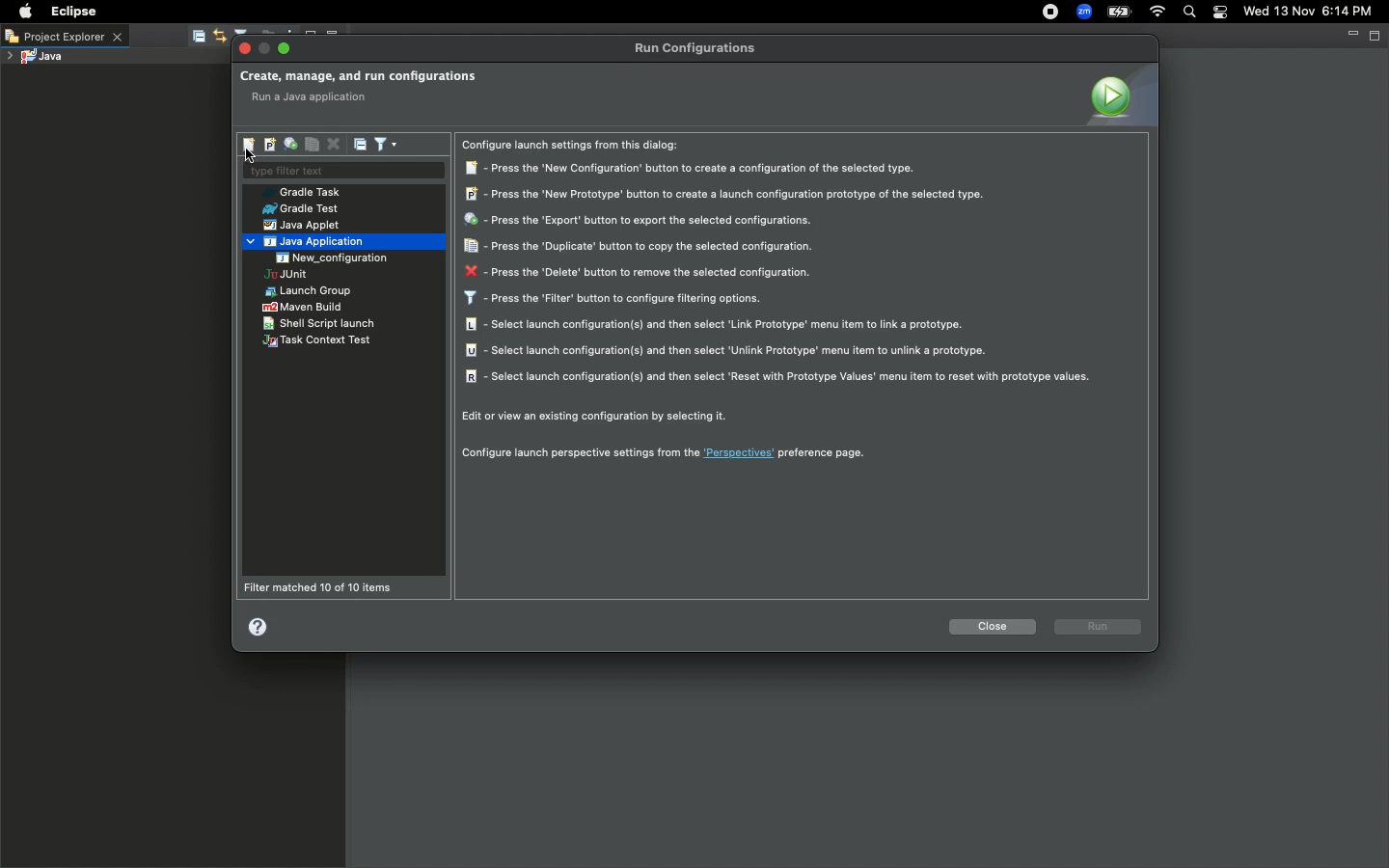  Describe the element at coordinates (777, 377) in the screenshot. I see `Select launch configuration(s) and then select 'Reset with Prototype Values' menu item to reset with prototype values.` at that location.